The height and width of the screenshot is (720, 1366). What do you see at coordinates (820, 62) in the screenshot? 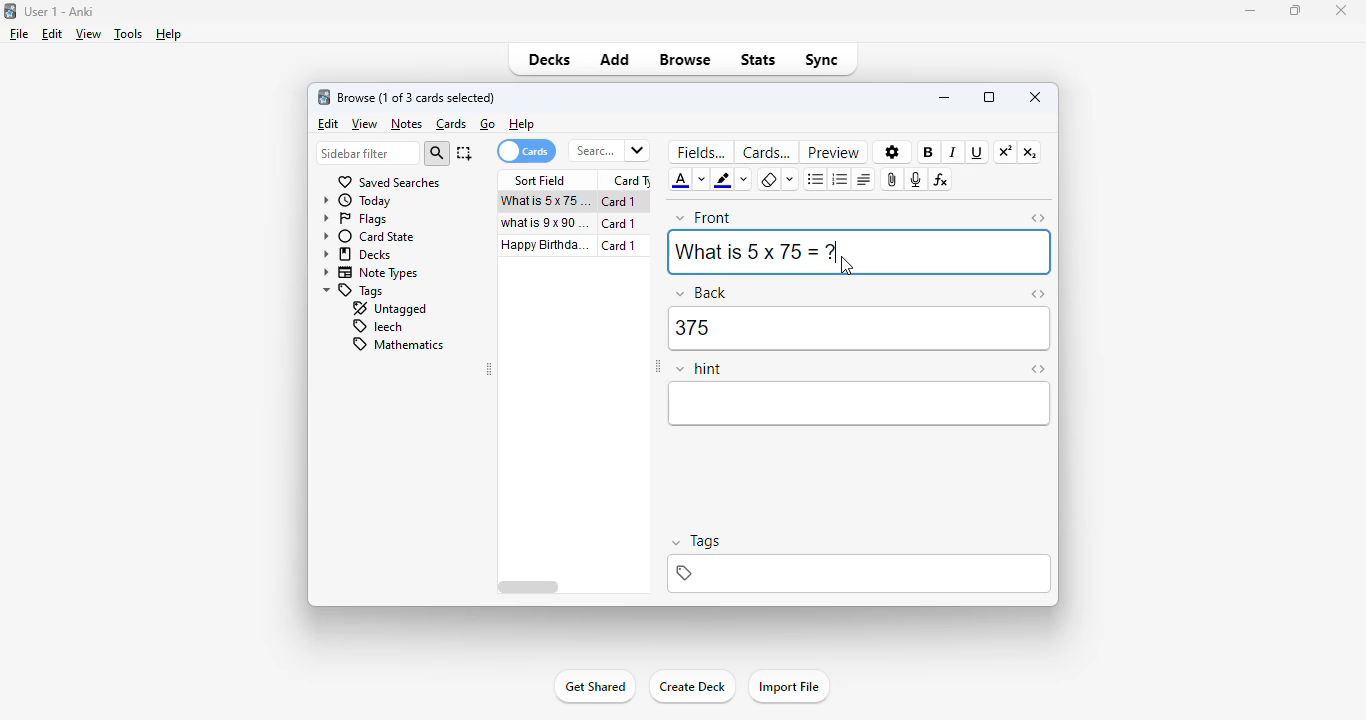
I see `sync` at bounding box center [820, 62].